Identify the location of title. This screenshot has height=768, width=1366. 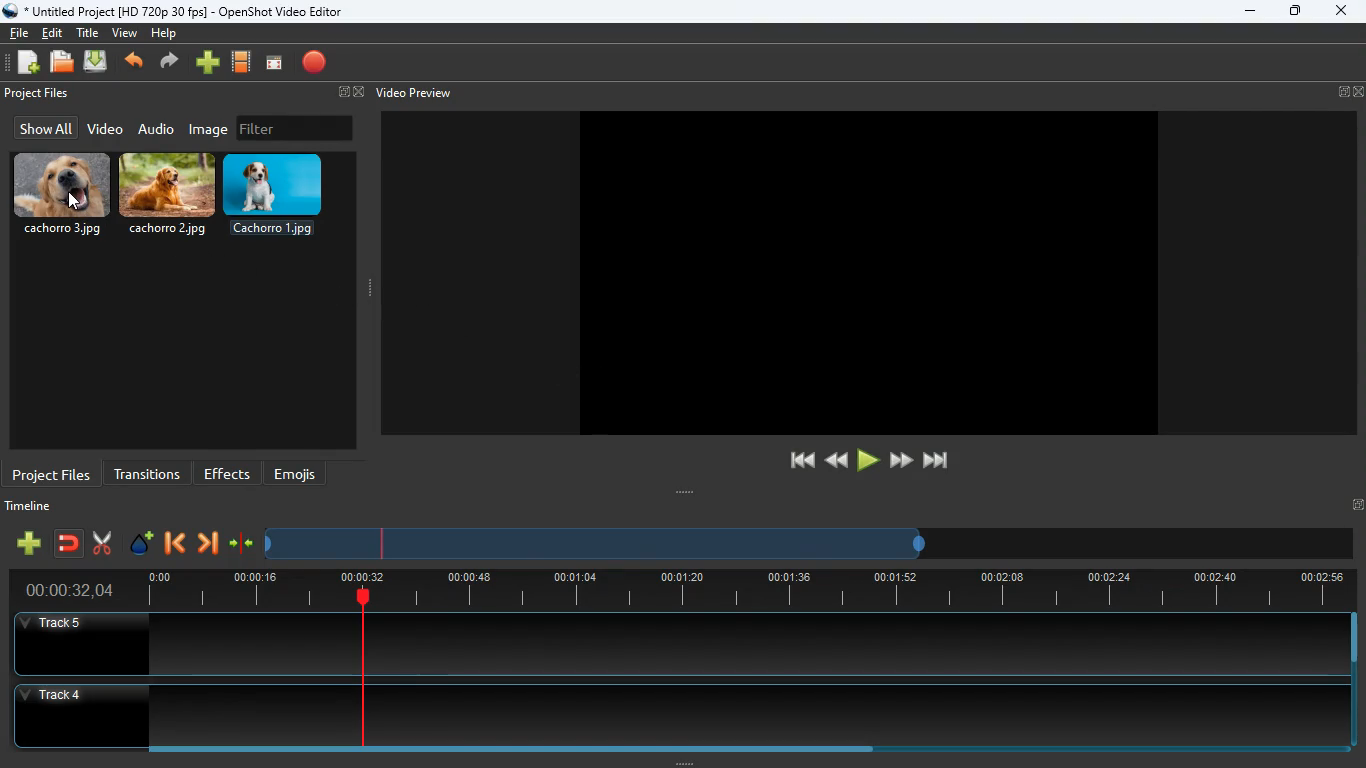
(90, 32).